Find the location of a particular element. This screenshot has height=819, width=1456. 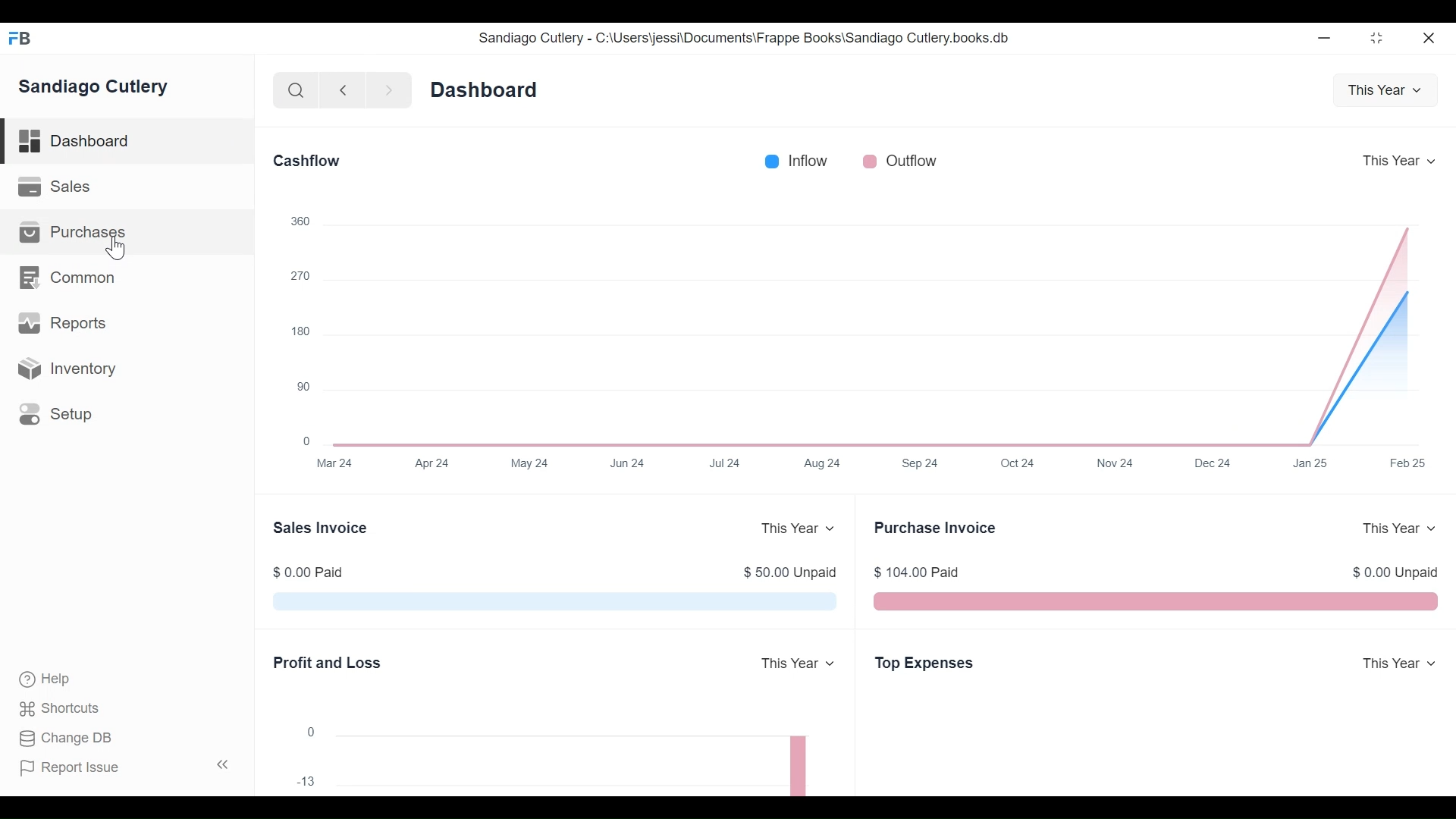

The Cashflow chart shows the total amount of money being transferred into and out of Sandiago Cutlery over a year is located at coordinates (870, 331).